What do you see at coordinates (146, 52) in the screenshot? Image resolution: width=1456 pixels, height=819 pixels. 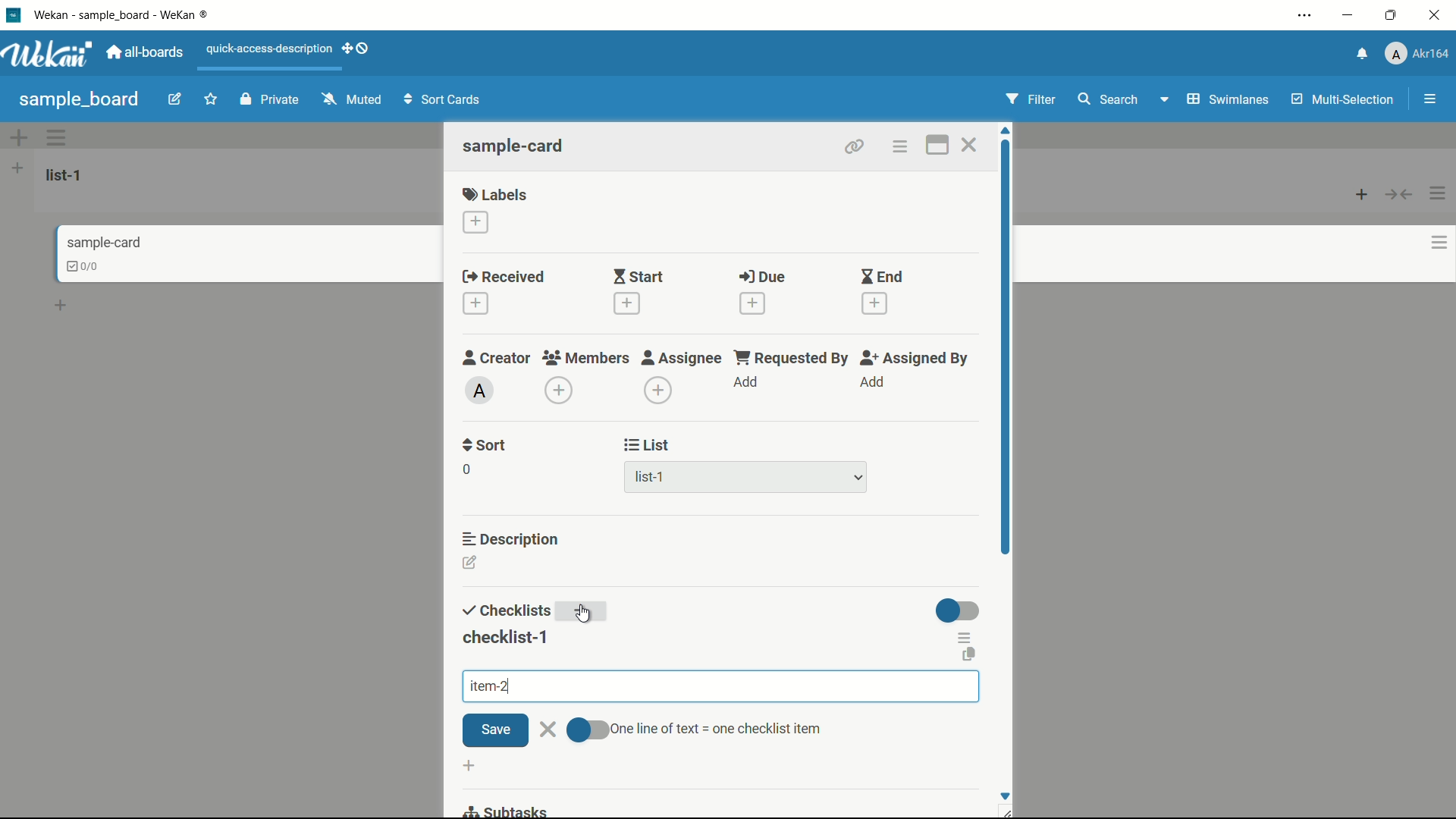 I see `all boards` at bounding box center [146, 52].